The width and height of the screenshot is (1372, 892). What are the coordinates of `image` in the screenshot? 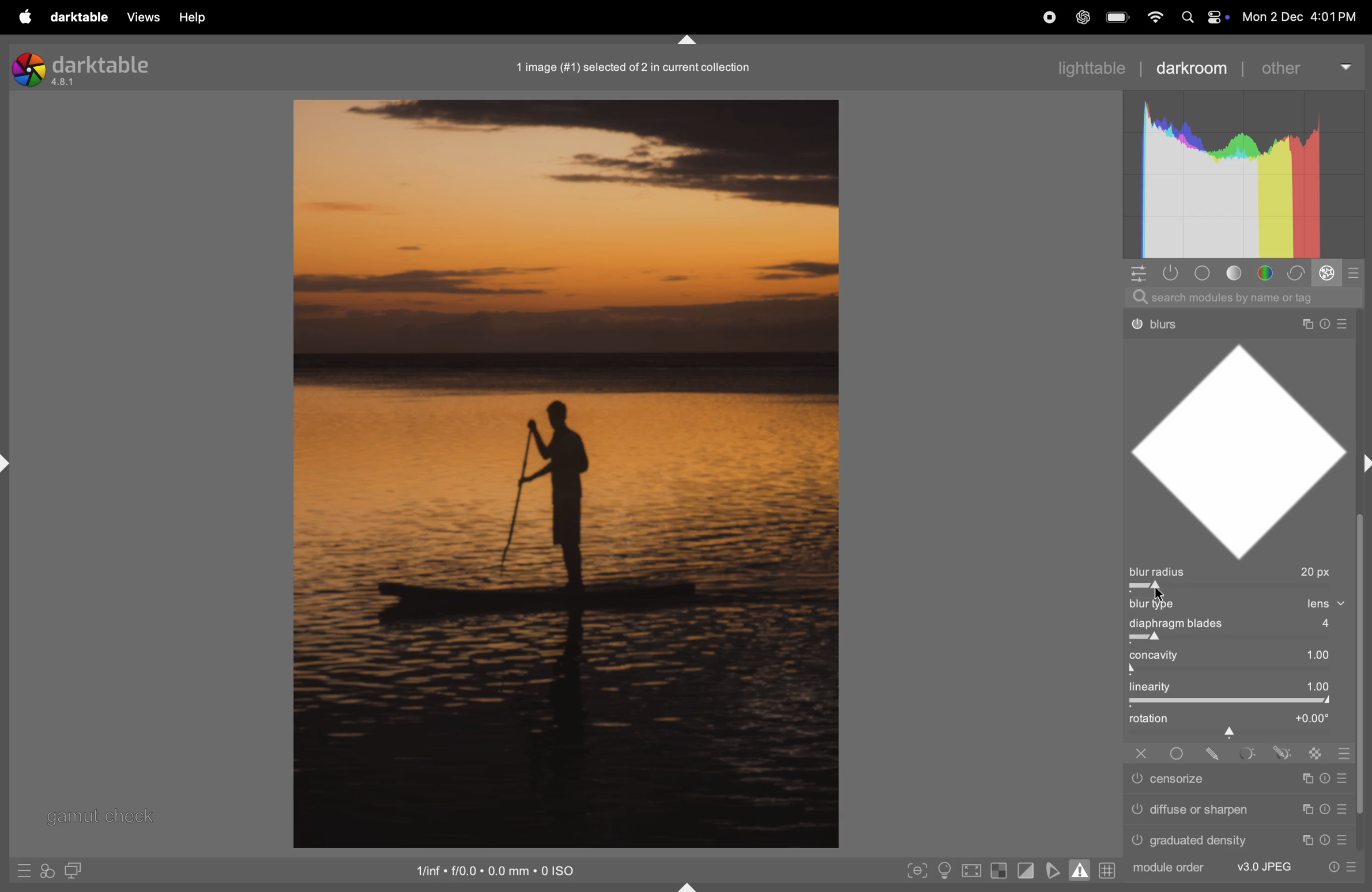 It's located at (562, 474).